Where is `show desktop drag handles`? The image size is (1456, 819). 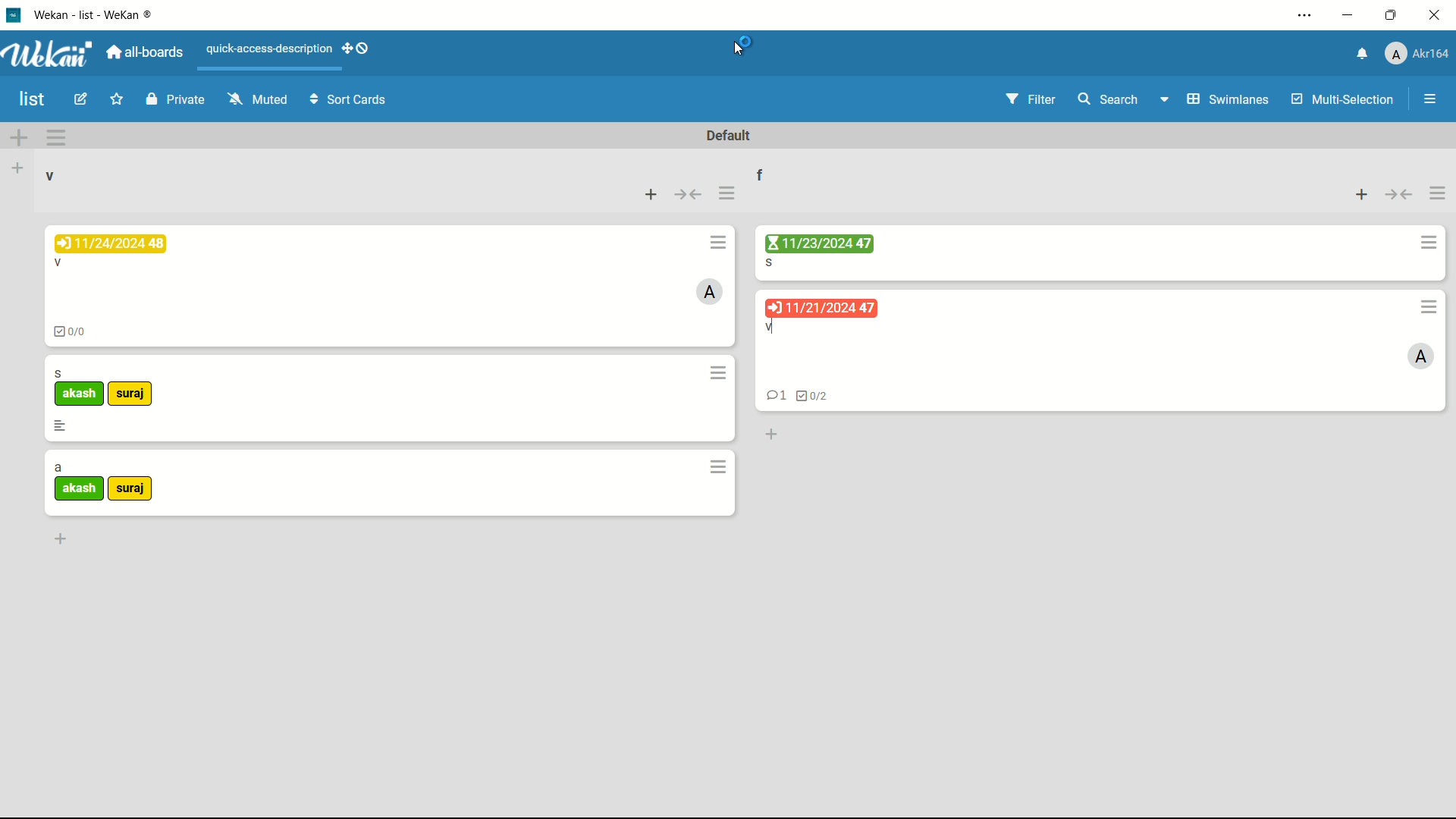
show desktop drag handles is located at coordinates (358, 48).